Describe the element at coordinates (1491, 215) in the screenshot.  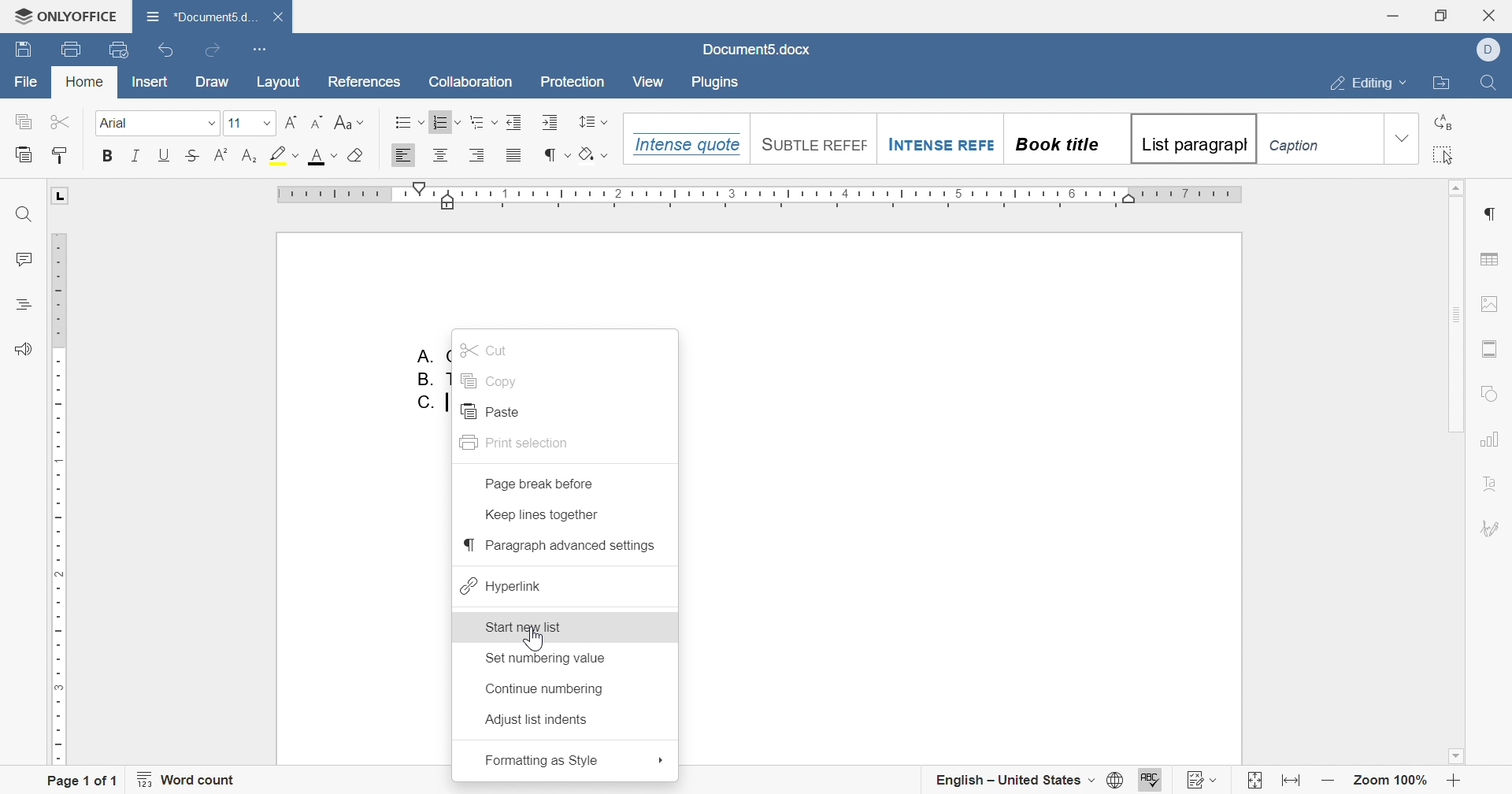
I see `paragraph settings` at that location.